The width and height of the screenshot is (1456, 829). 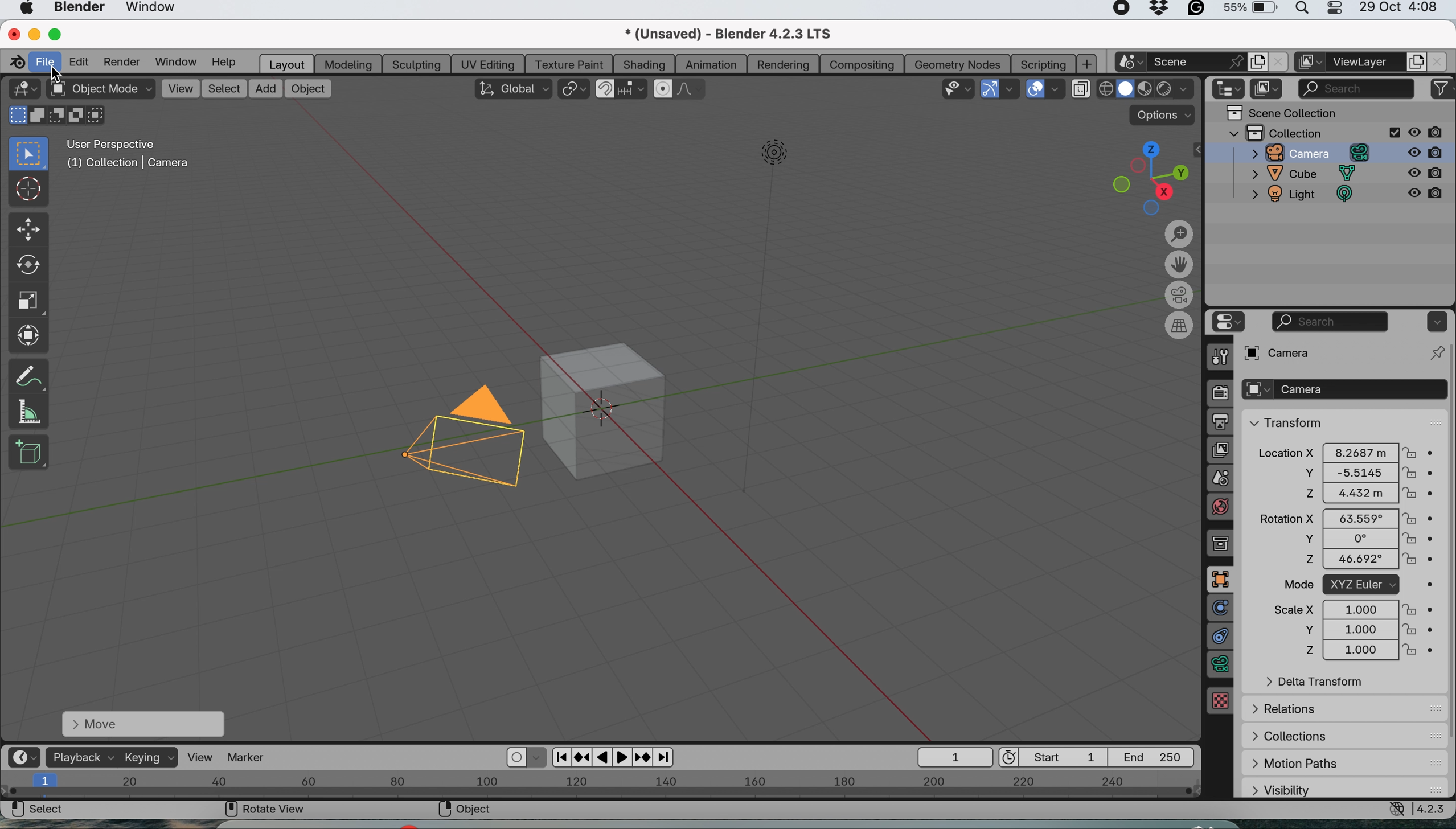 What do you see at coordinates (464, 809) in the screenshot?
I see `object` at bounding box center [464, 809].